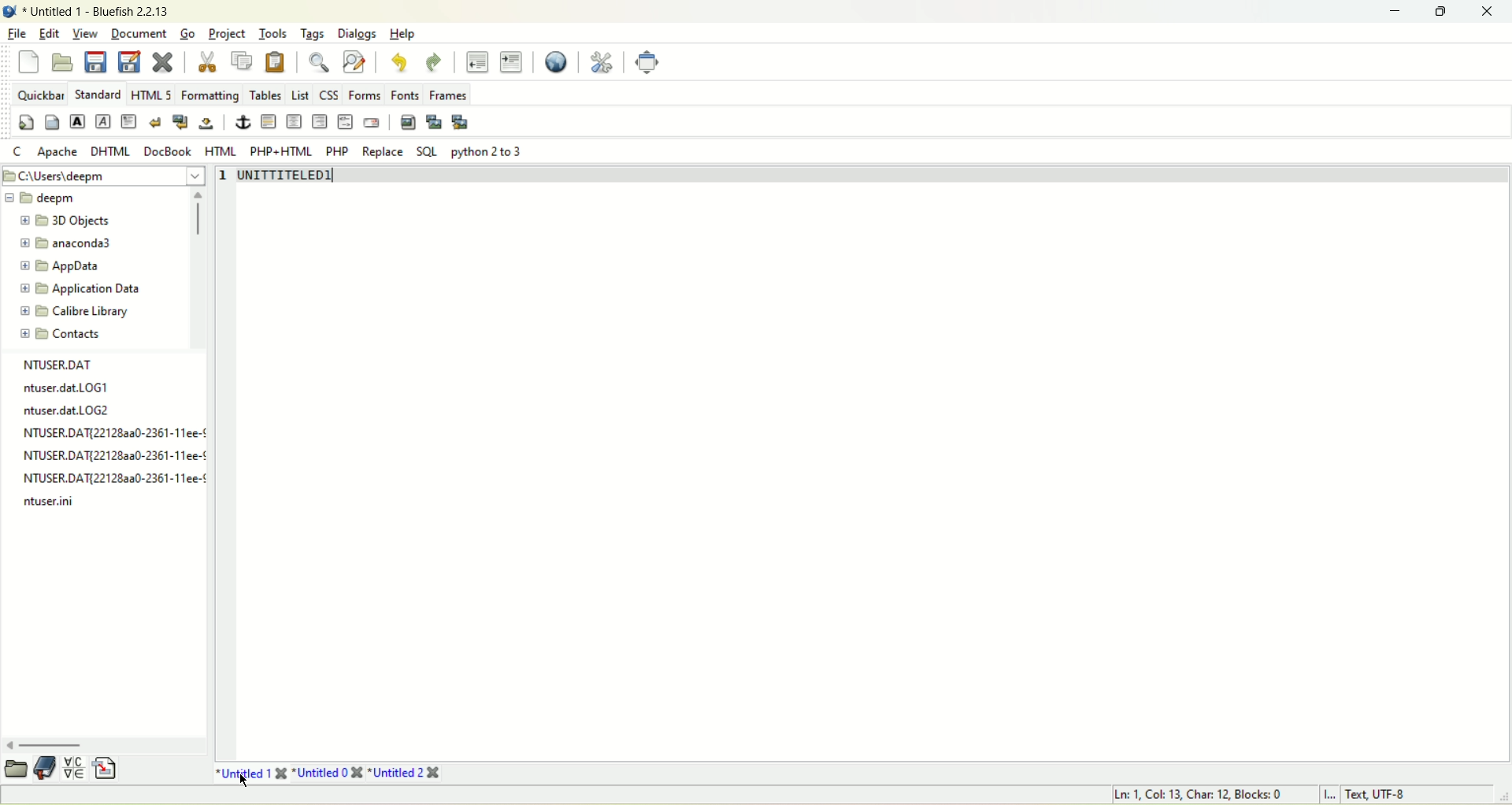 Image resolution: width=1512 pixels, height=805 pixels. Describe the element at coordinates (513, 61) in the screenshot. I see `indent ` at that location.